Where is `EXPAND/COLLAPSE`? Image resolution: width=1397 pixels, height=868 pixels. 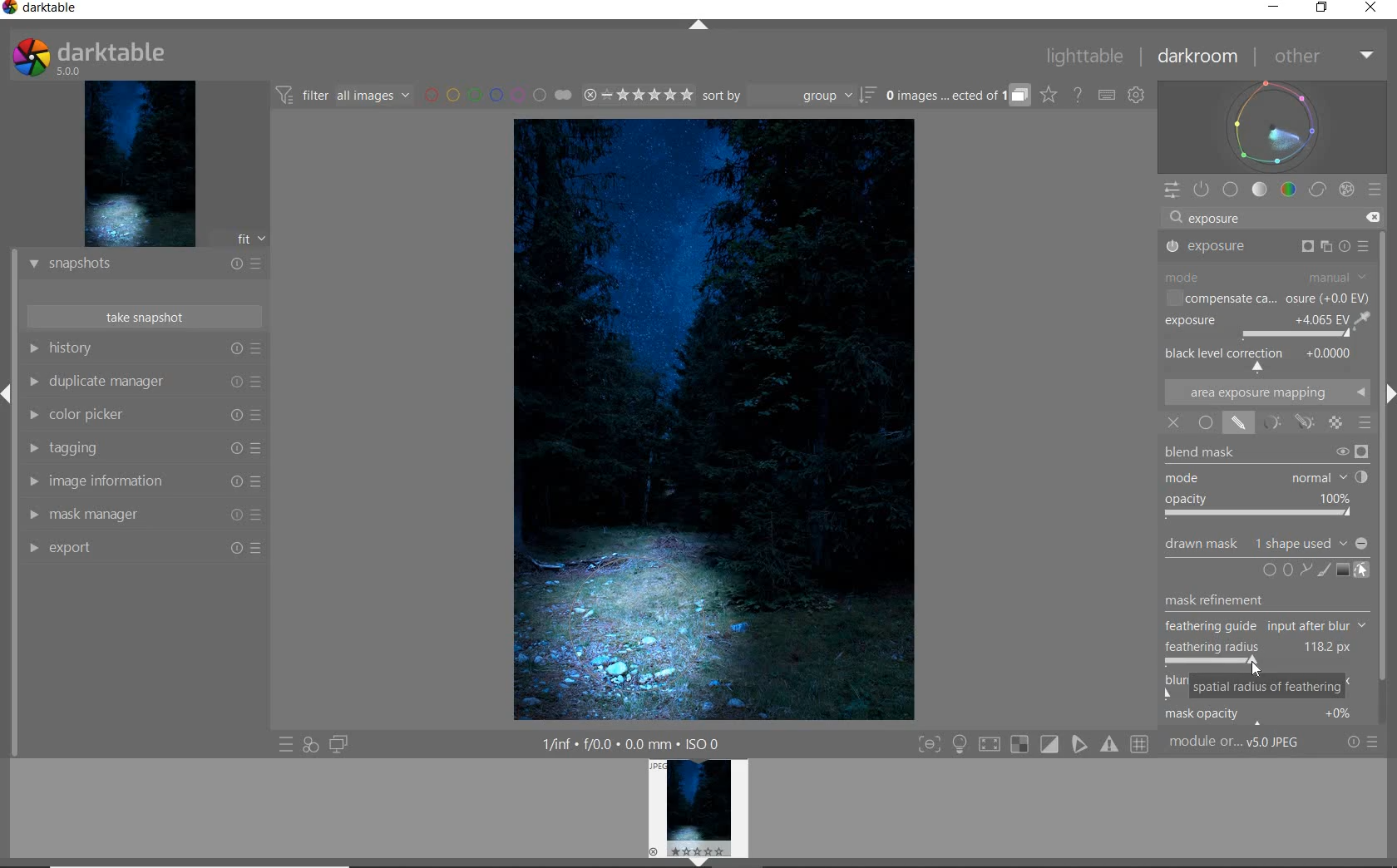 EXPAND/COLLAPSE is located at coordinates (699, 26).